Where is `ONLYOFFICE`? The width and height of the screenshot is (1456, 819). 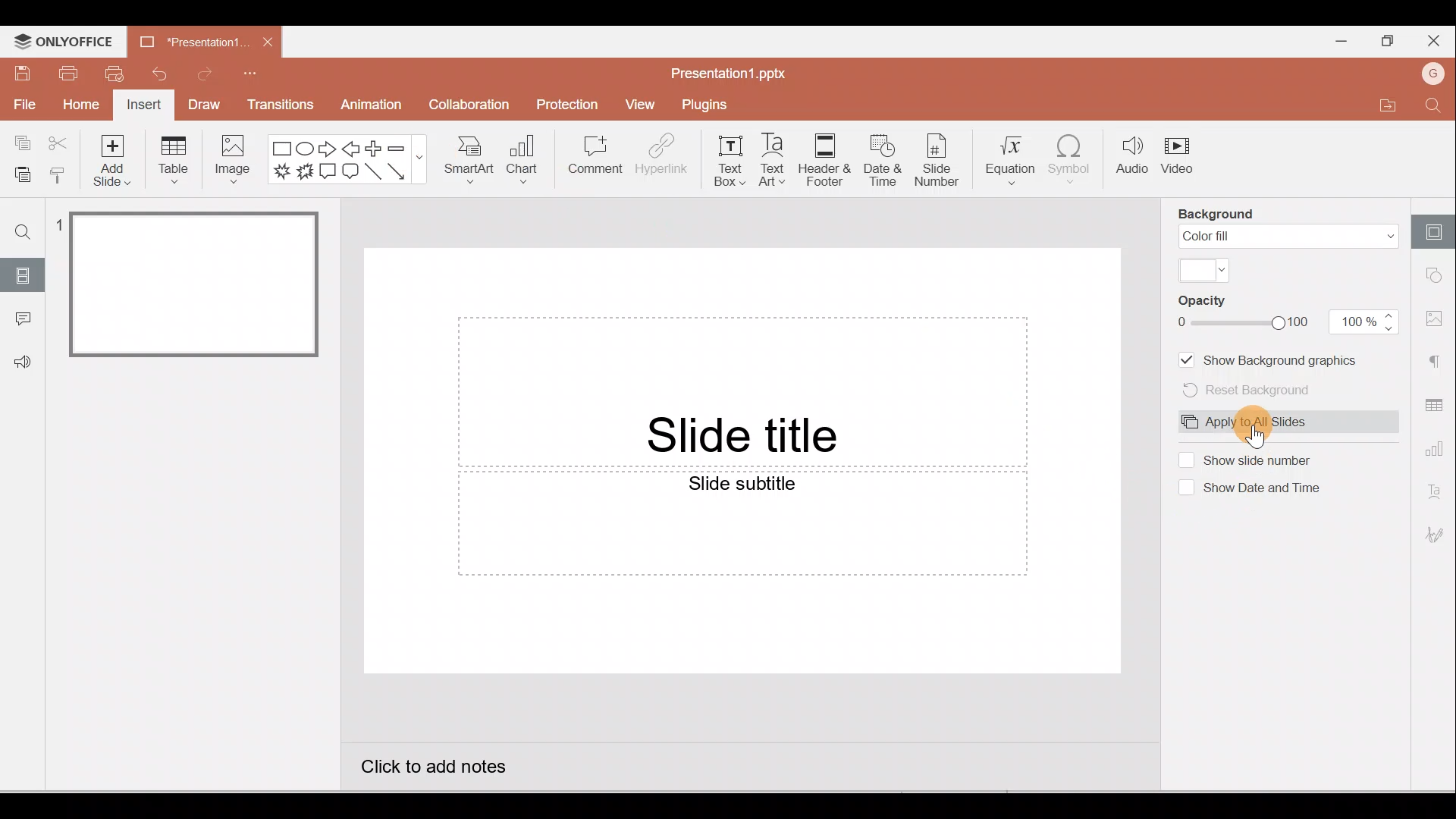 ONLYOFFICE is located at coordinates (62, 42).